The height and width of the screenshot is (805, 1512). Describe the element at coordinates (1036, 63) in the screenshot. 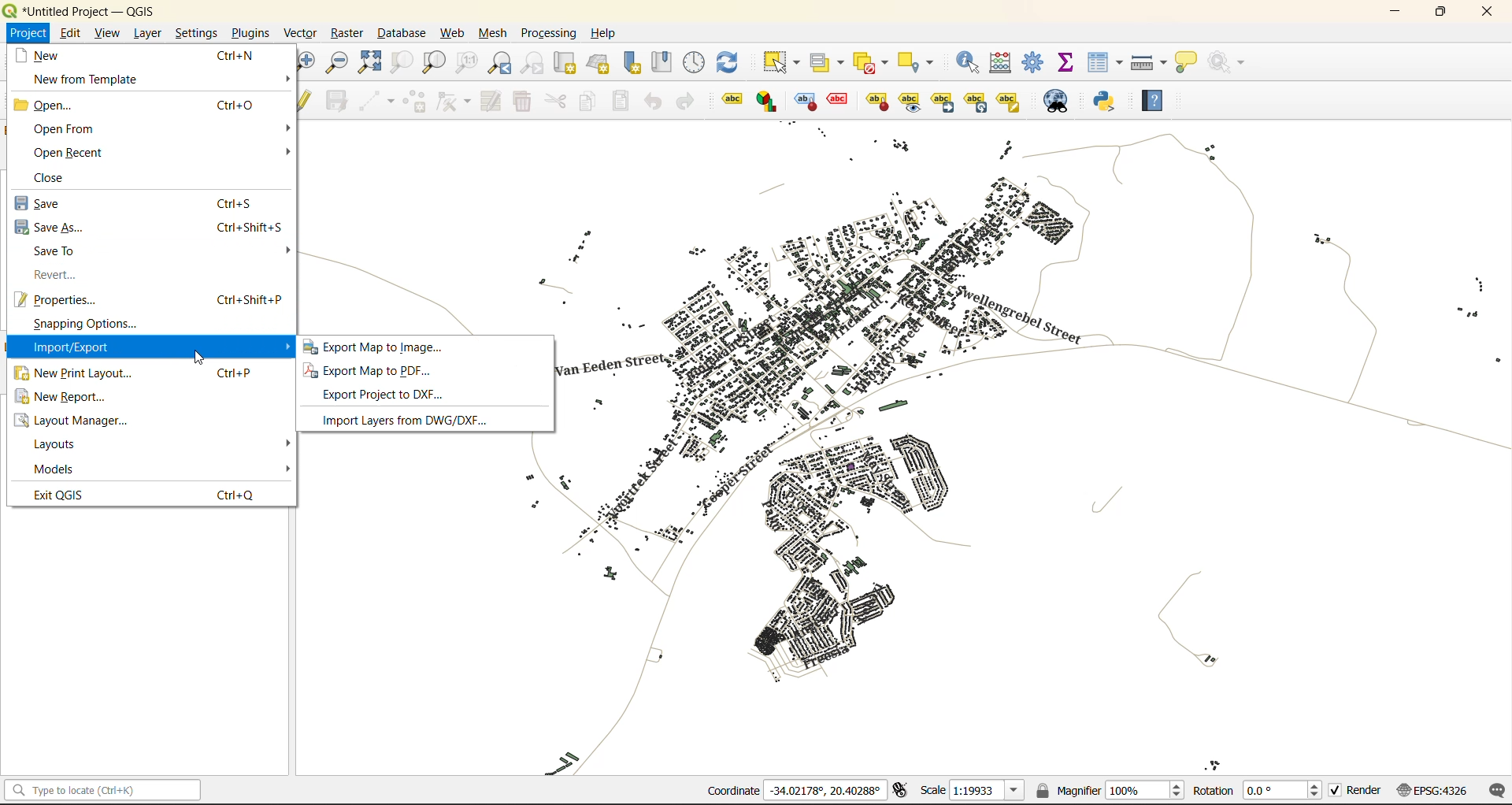

I see `toolbox` at that location.